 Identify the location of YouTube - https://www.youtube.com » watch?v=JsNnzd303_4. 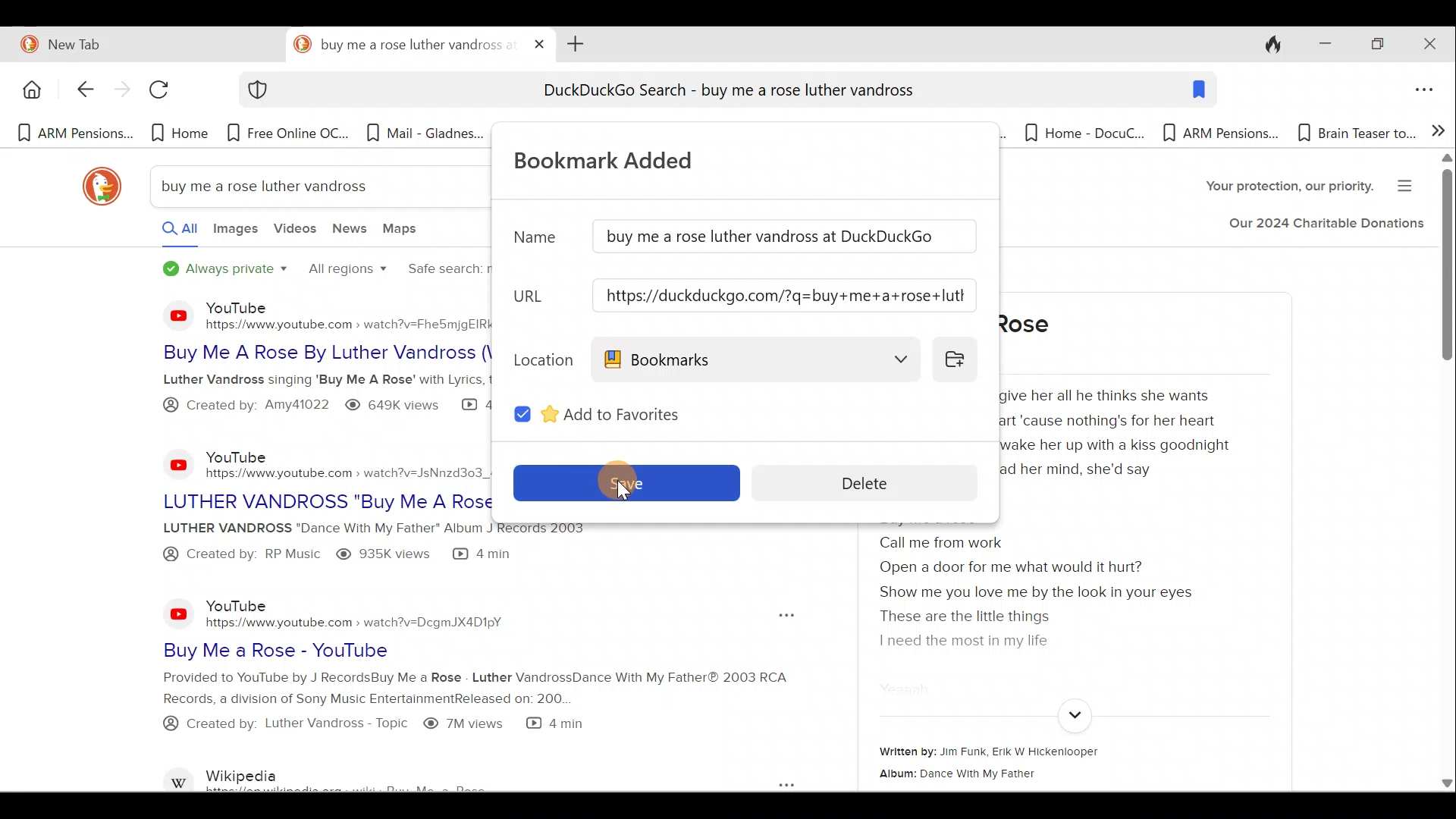
(341, 460).